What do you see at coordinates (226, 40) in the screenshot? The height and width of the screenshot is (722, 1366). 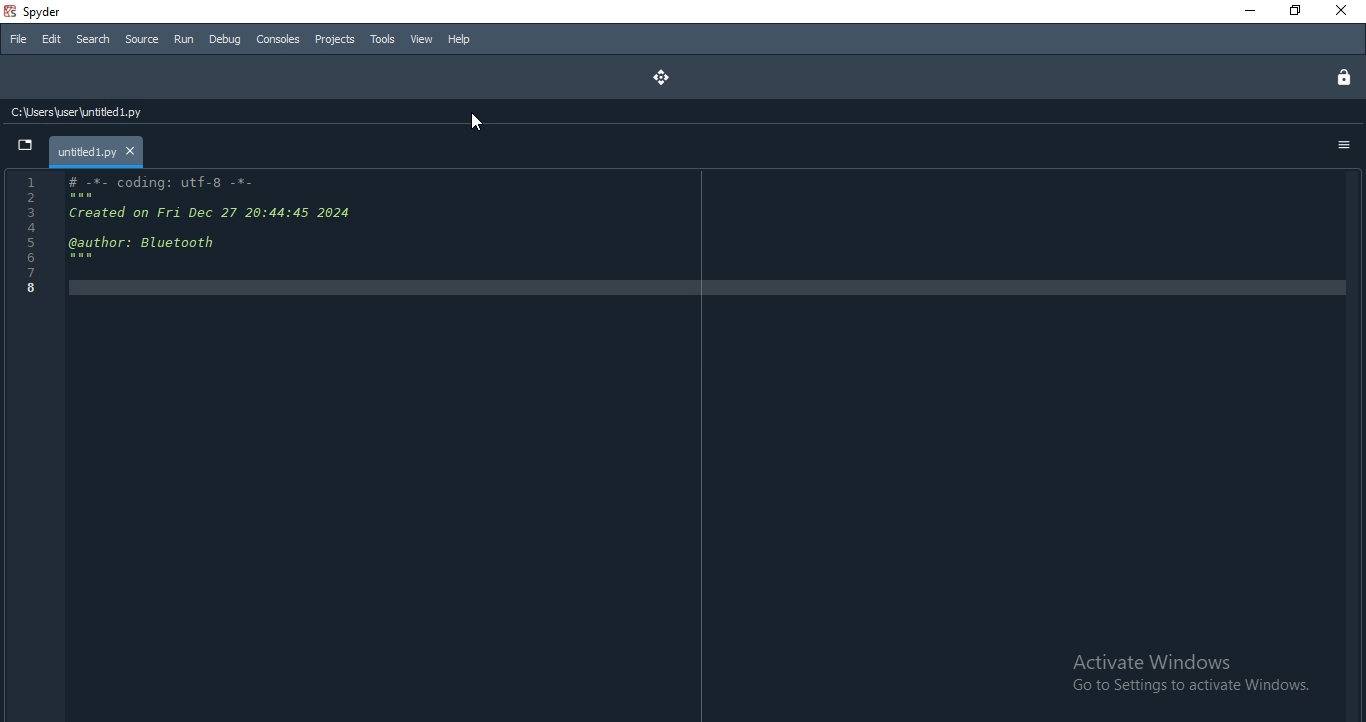 I see `Debug` at bounding box center [226, 40].